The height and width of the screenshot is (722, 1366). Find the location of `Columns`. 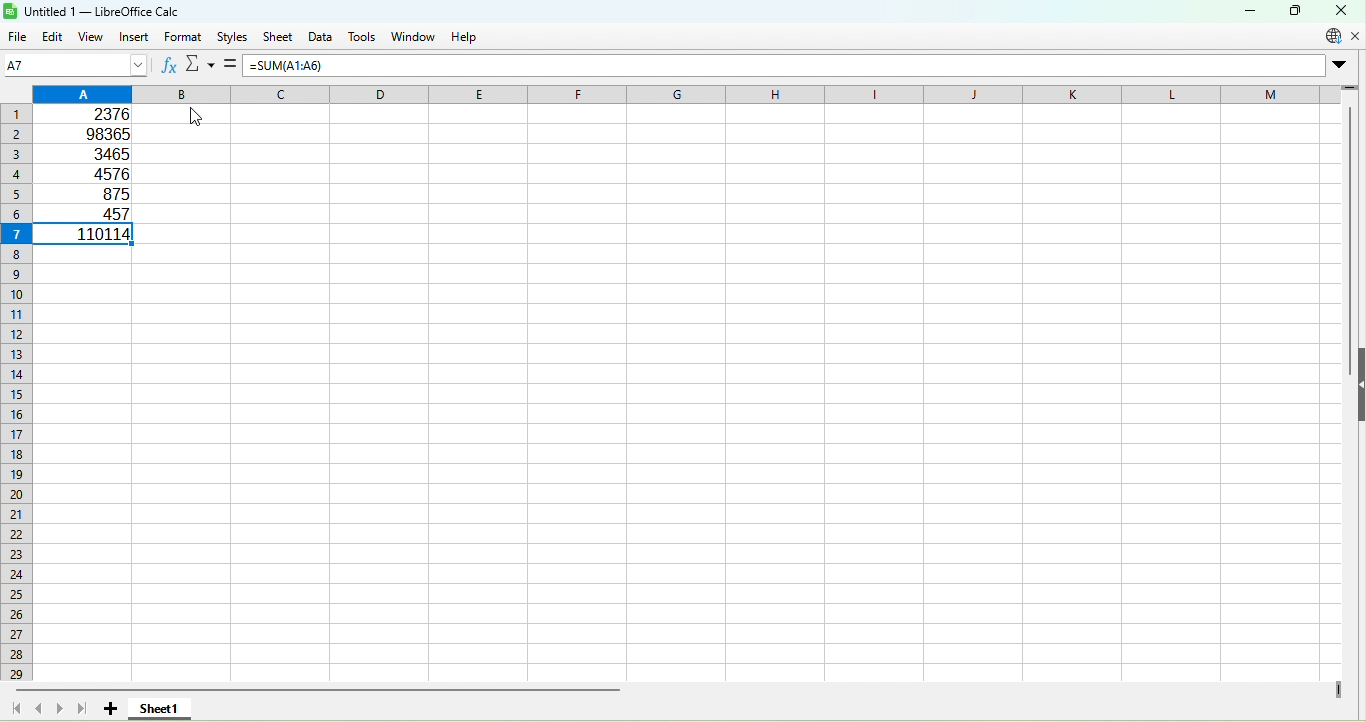

Columns is located at coordinates (689, 94).